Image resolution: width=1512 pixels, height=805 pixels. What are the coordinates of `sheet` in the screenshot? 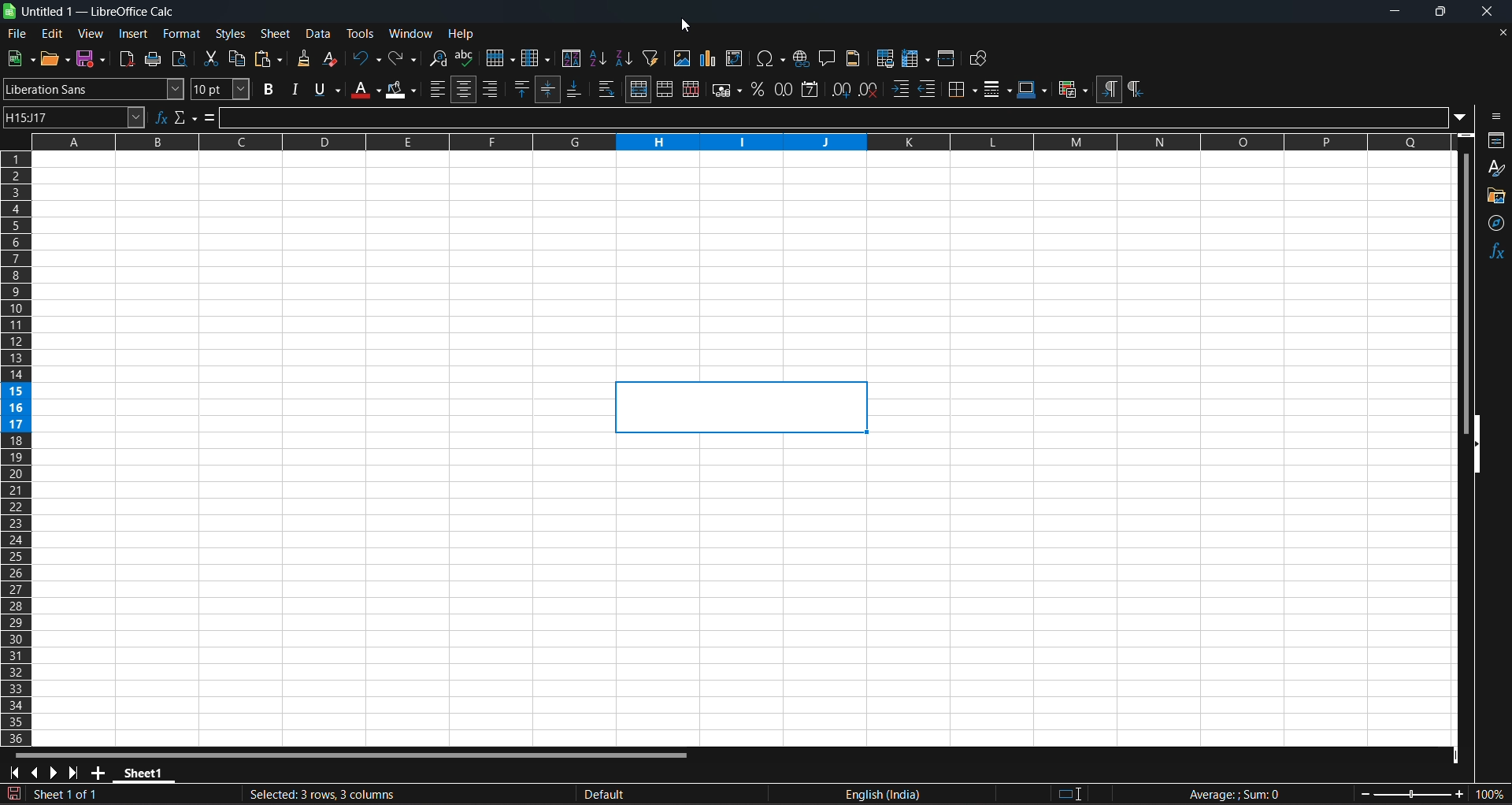 It's located at (277, 32).